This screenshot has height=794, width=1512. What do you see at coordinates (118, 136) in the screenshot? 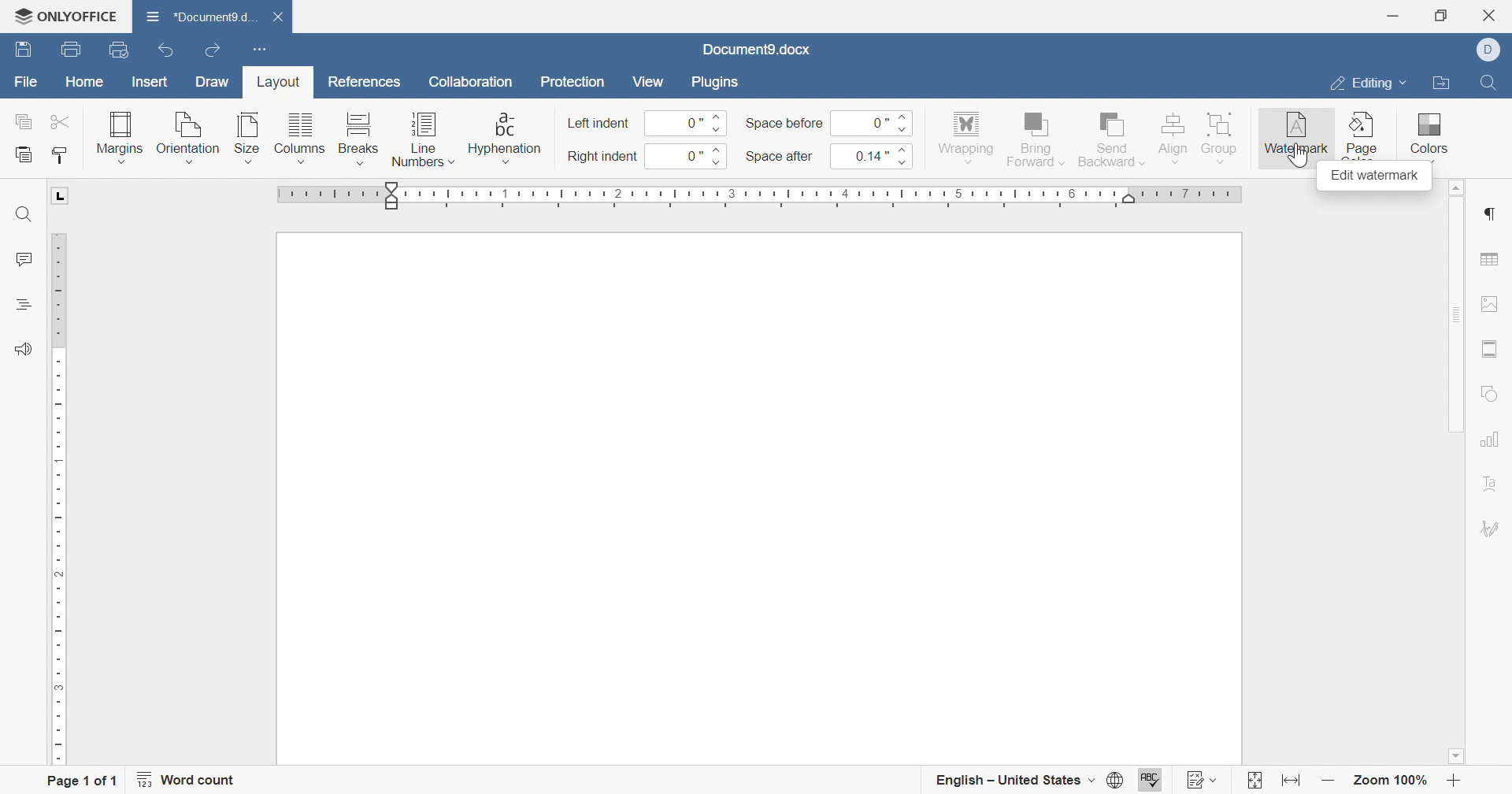
I see `margins` at bounding box center [118, 136].